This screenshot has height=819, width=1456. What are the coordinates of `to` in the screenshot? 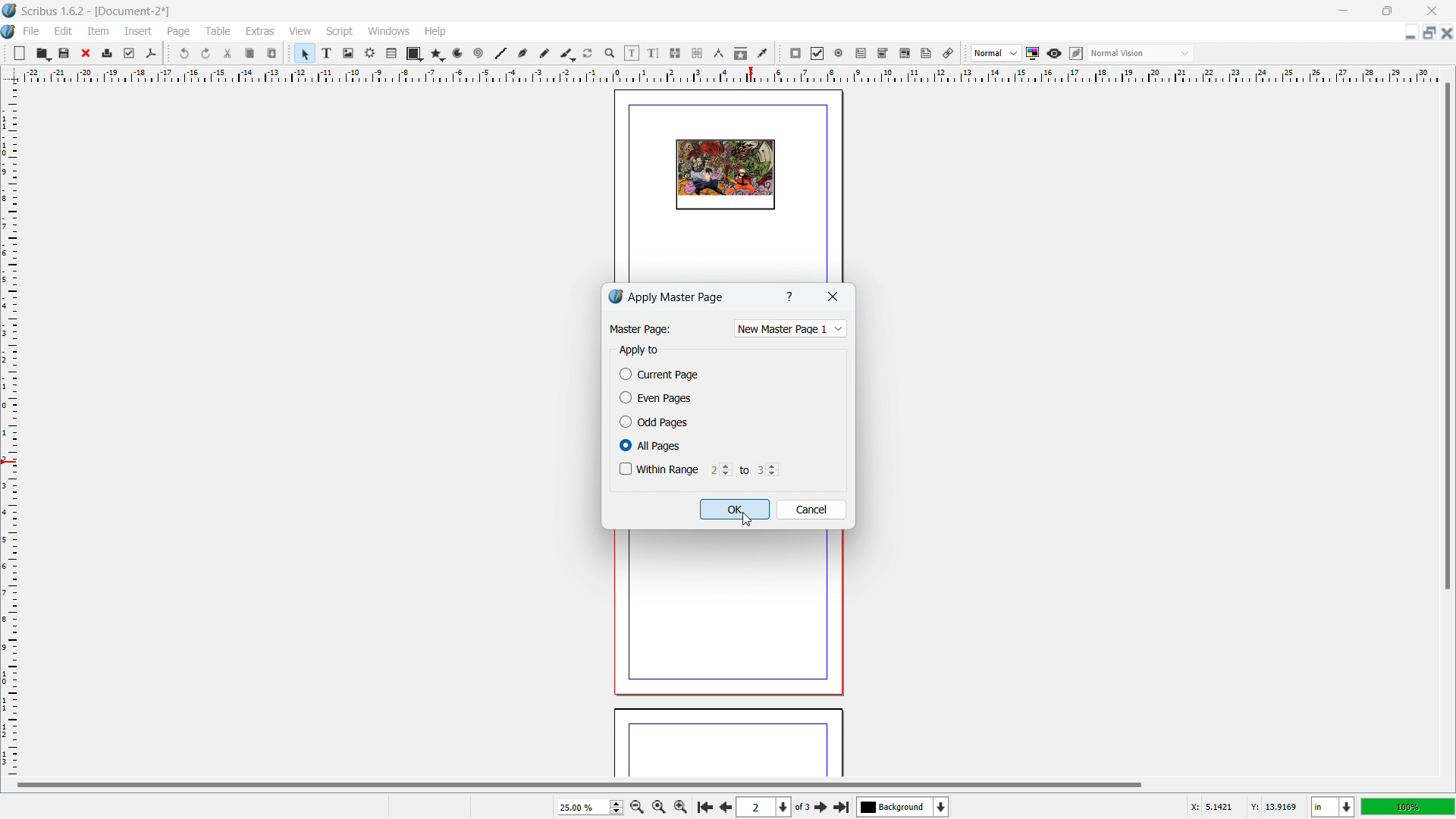 It's located at (743, 468).